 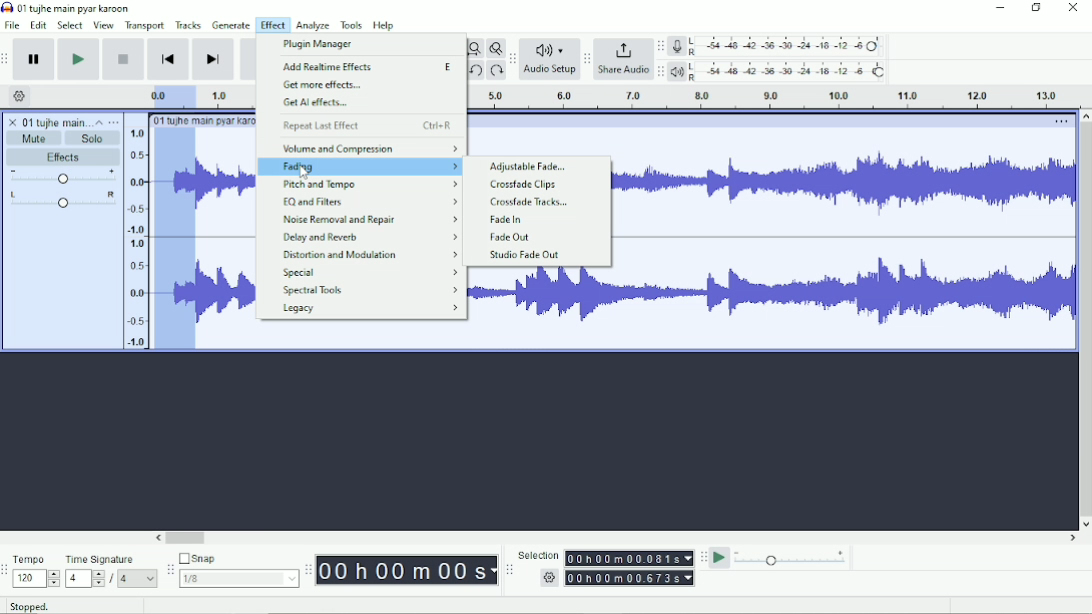 What do you see at coordinates (70, 25) in the screenshot?
I see `Select` at bounding box center [70, 25].